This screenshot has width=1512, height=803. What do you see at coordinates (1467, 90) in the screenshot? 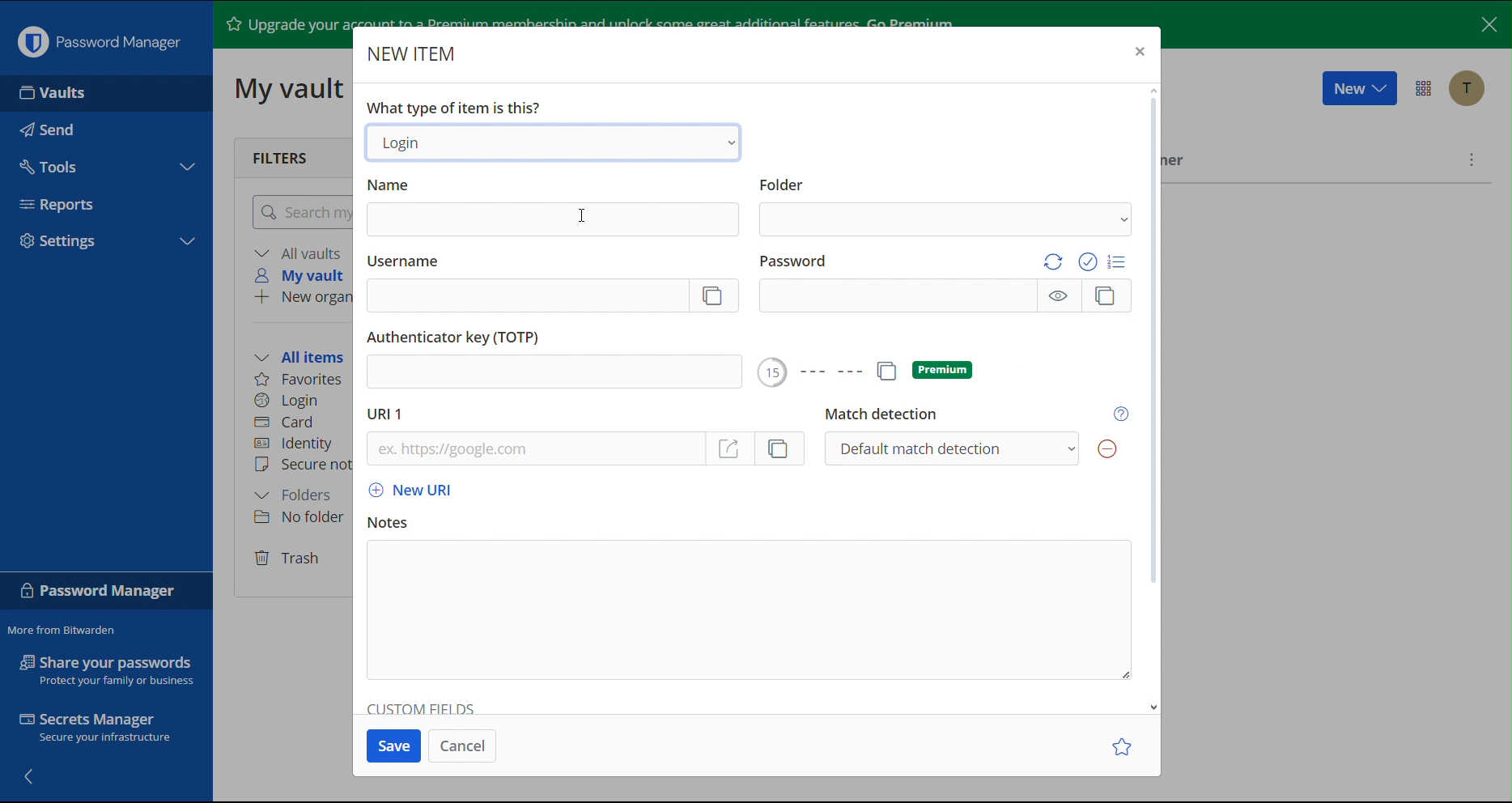
I see `Account` at bounding box center [1467, 90].